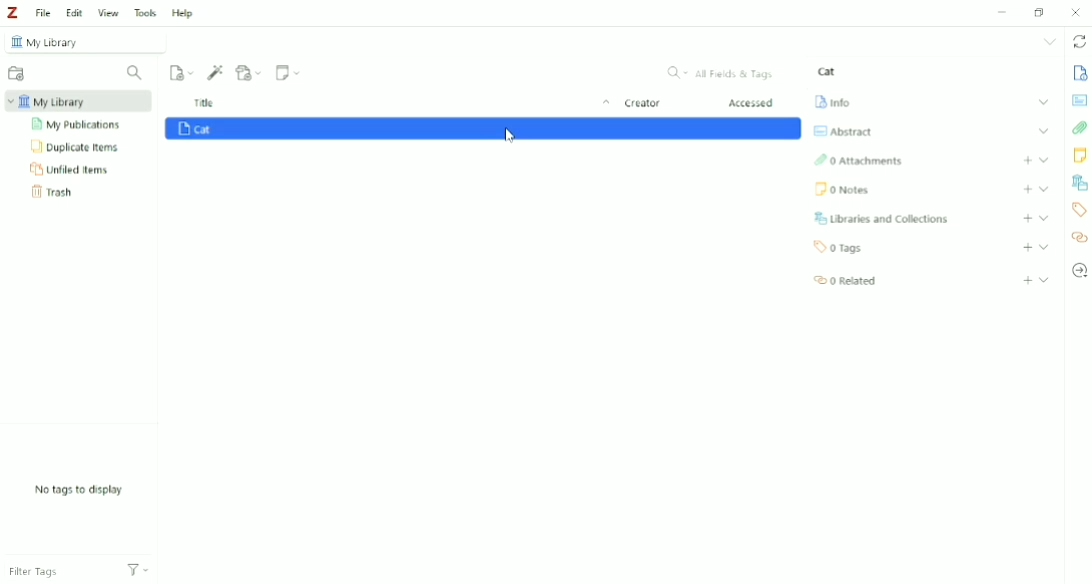  What do you see at coordinates (827, 71) in the screenshot?
I see `Cat` at bounding box center [827, 71].